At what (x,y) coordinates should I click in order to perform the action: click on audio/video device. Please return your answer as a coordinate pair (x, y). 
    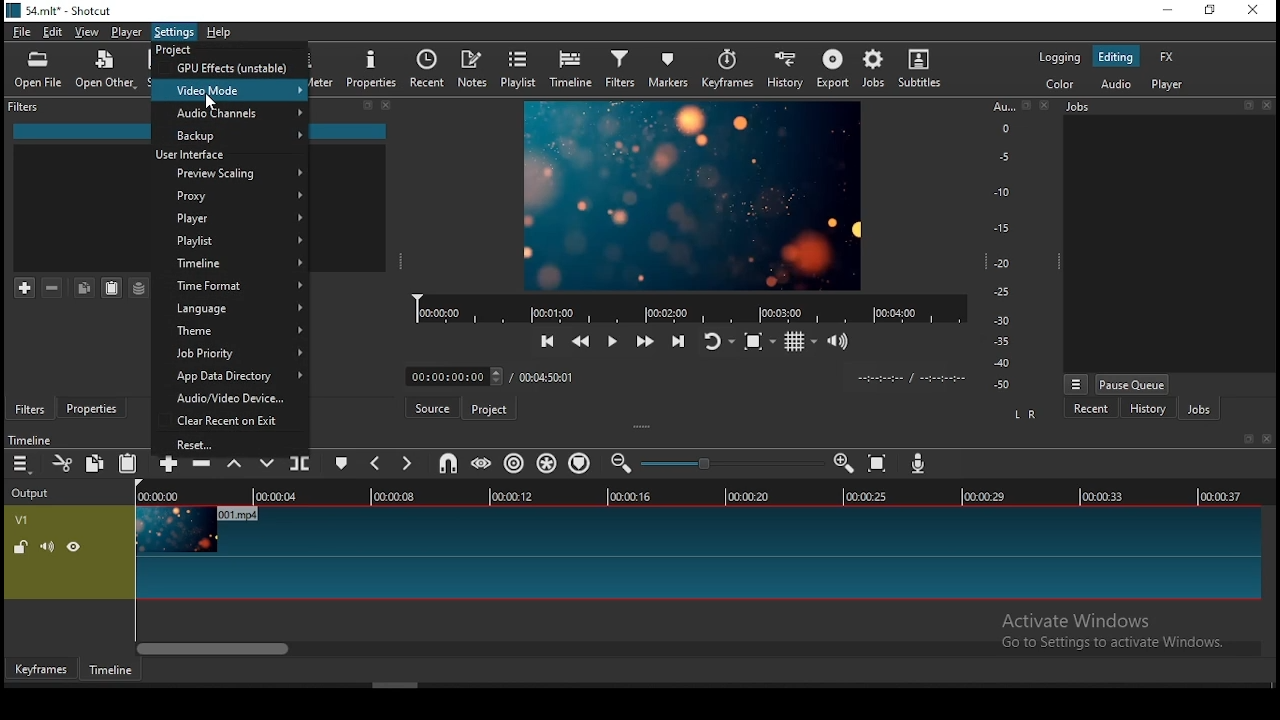
    Looking at the image, I should click on (227, 400).